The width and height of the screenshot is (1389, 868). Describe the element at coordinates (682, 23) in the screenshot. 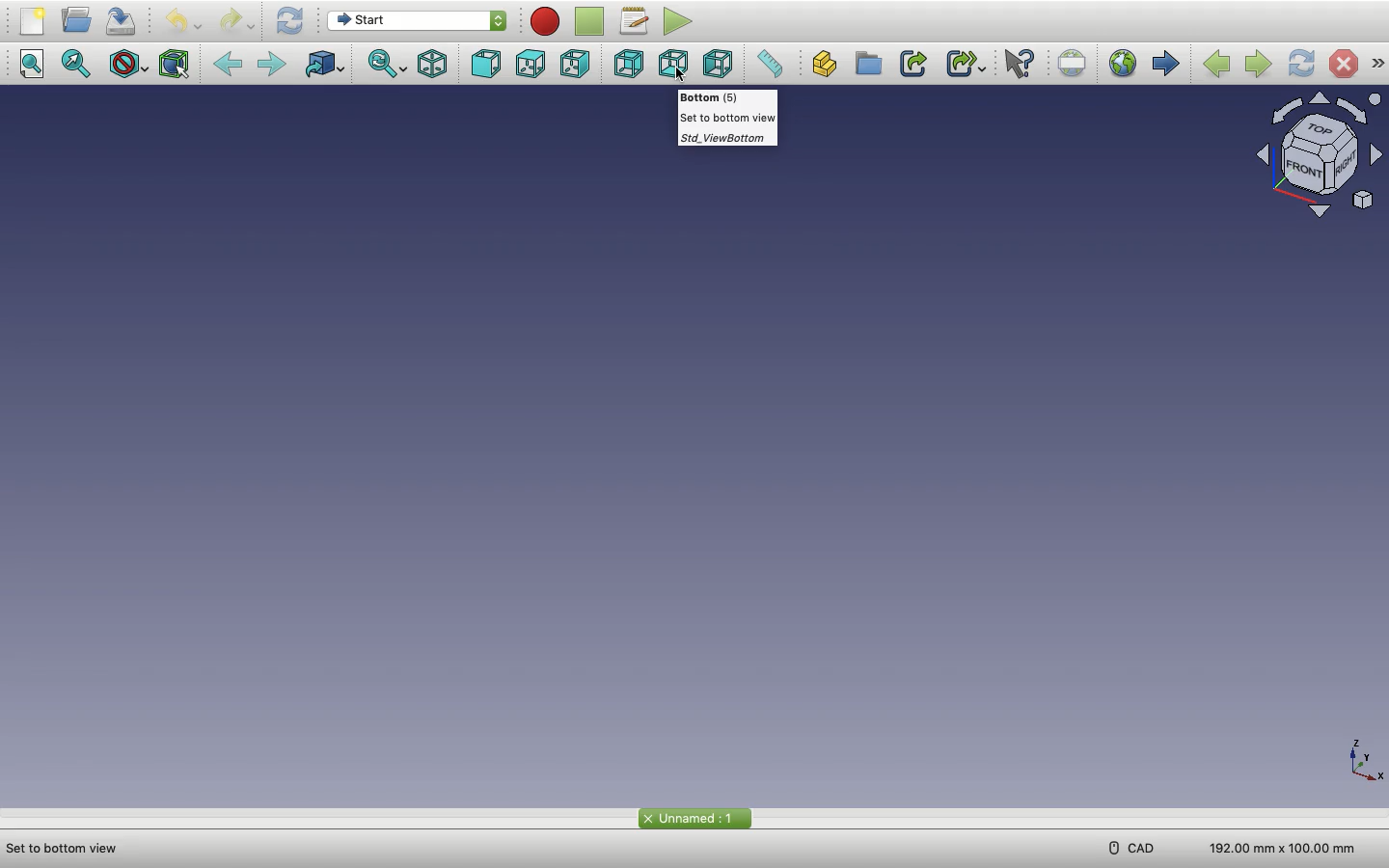

I see `Execute macros` at that location.